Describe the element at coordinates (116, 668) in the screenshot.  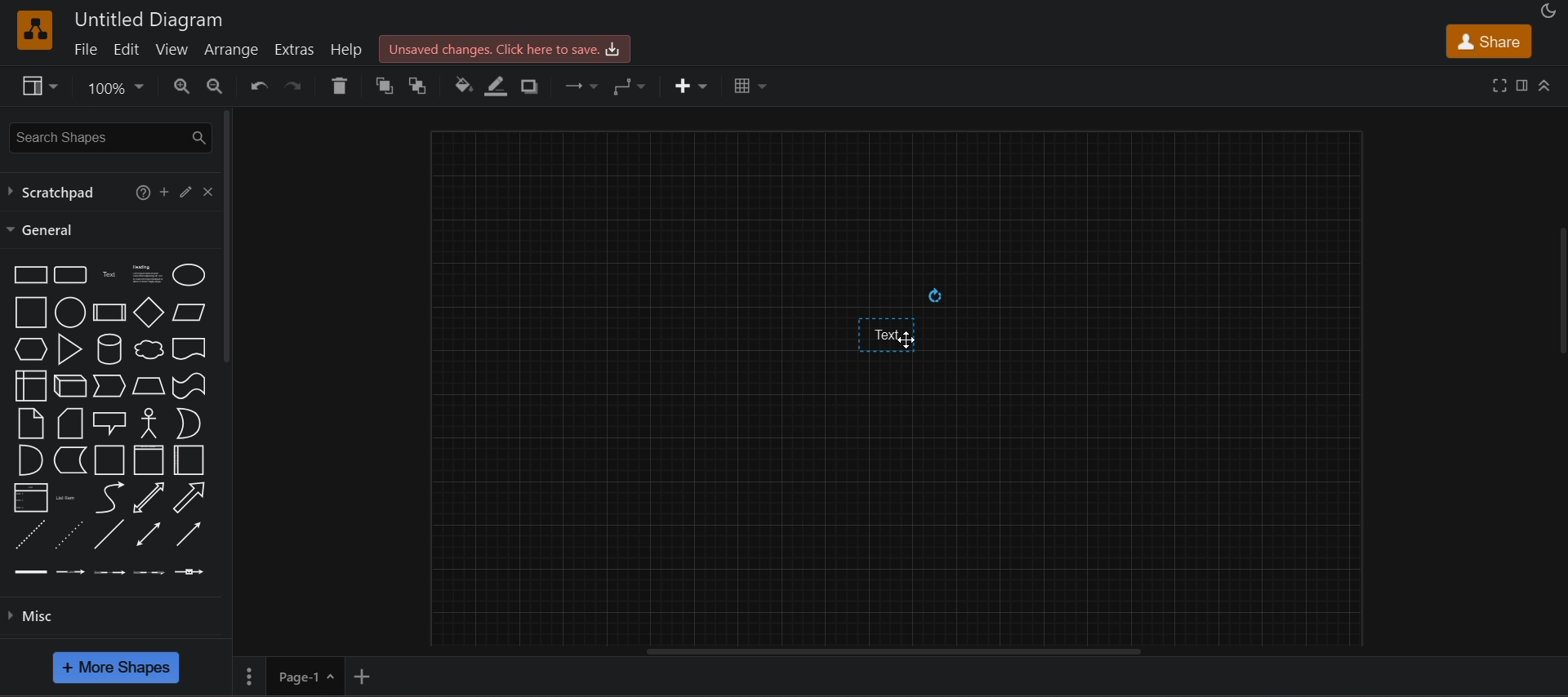
I see `more shapes` at that location.